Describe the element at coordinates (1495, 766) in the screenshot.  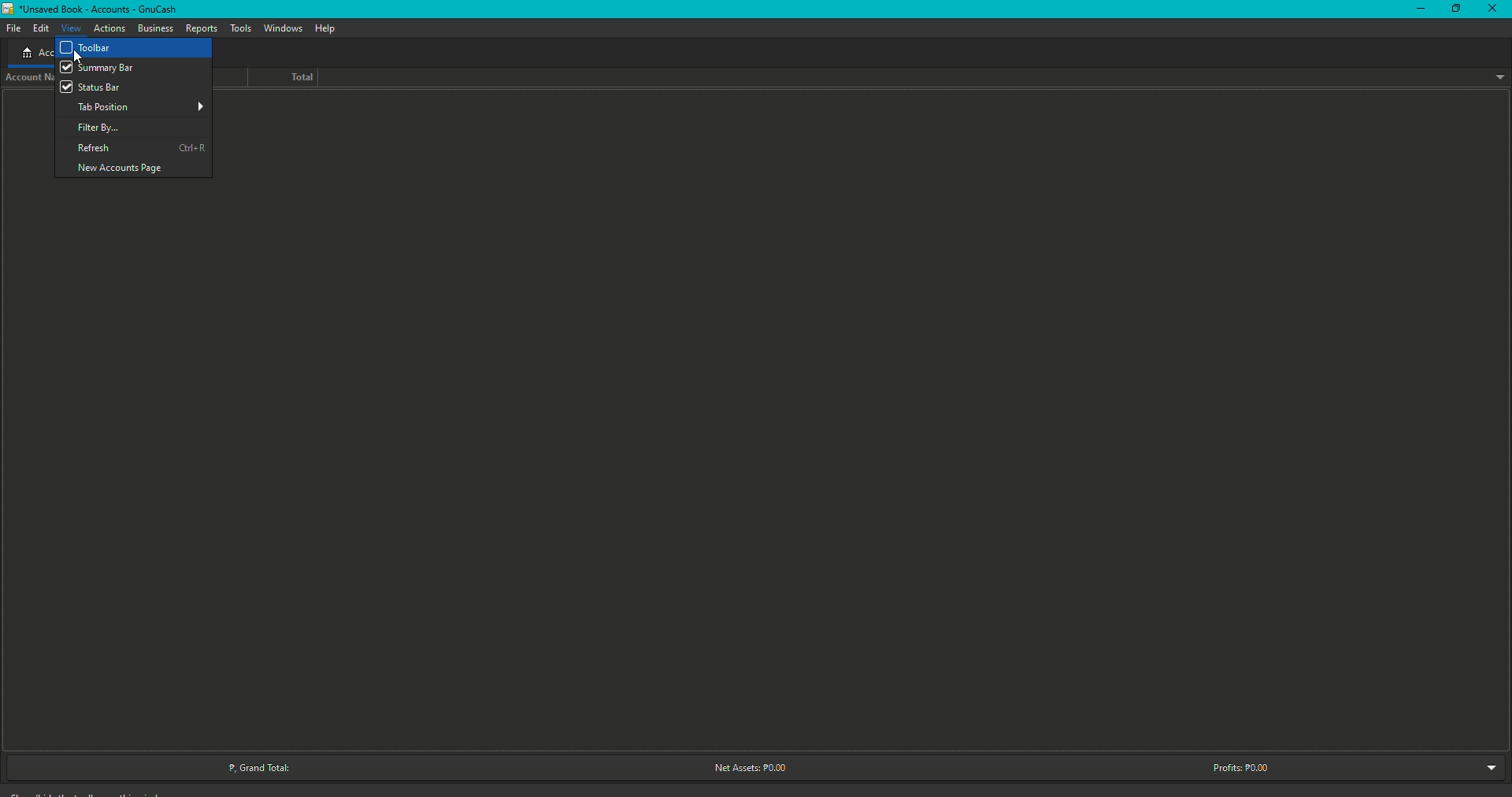
I see `Drop down` at that location.